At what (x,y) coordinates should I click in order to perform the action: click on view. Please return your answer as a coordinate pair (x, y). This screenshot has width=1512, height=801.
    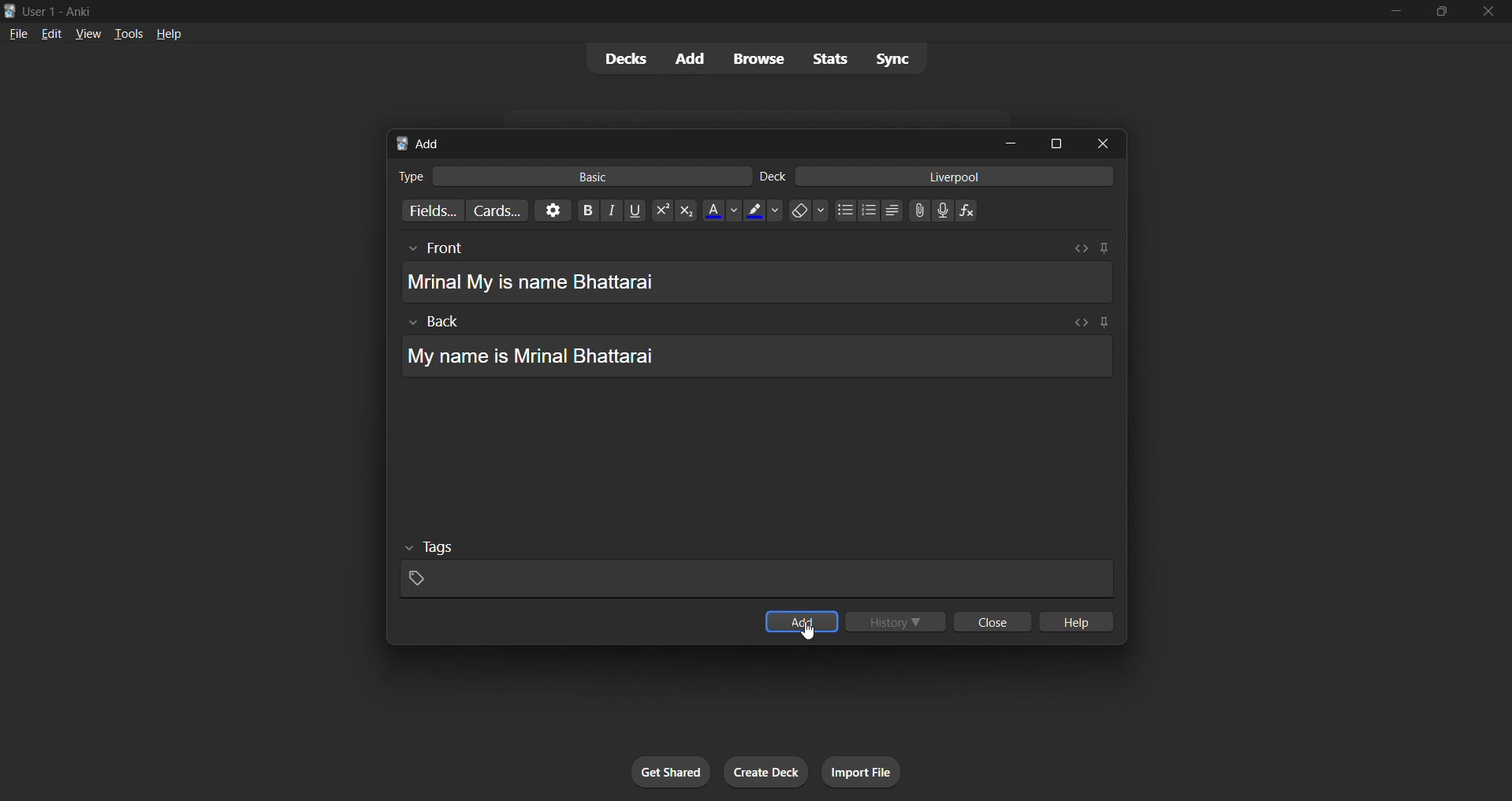
    Looking at the image, I should click on (91, 32).